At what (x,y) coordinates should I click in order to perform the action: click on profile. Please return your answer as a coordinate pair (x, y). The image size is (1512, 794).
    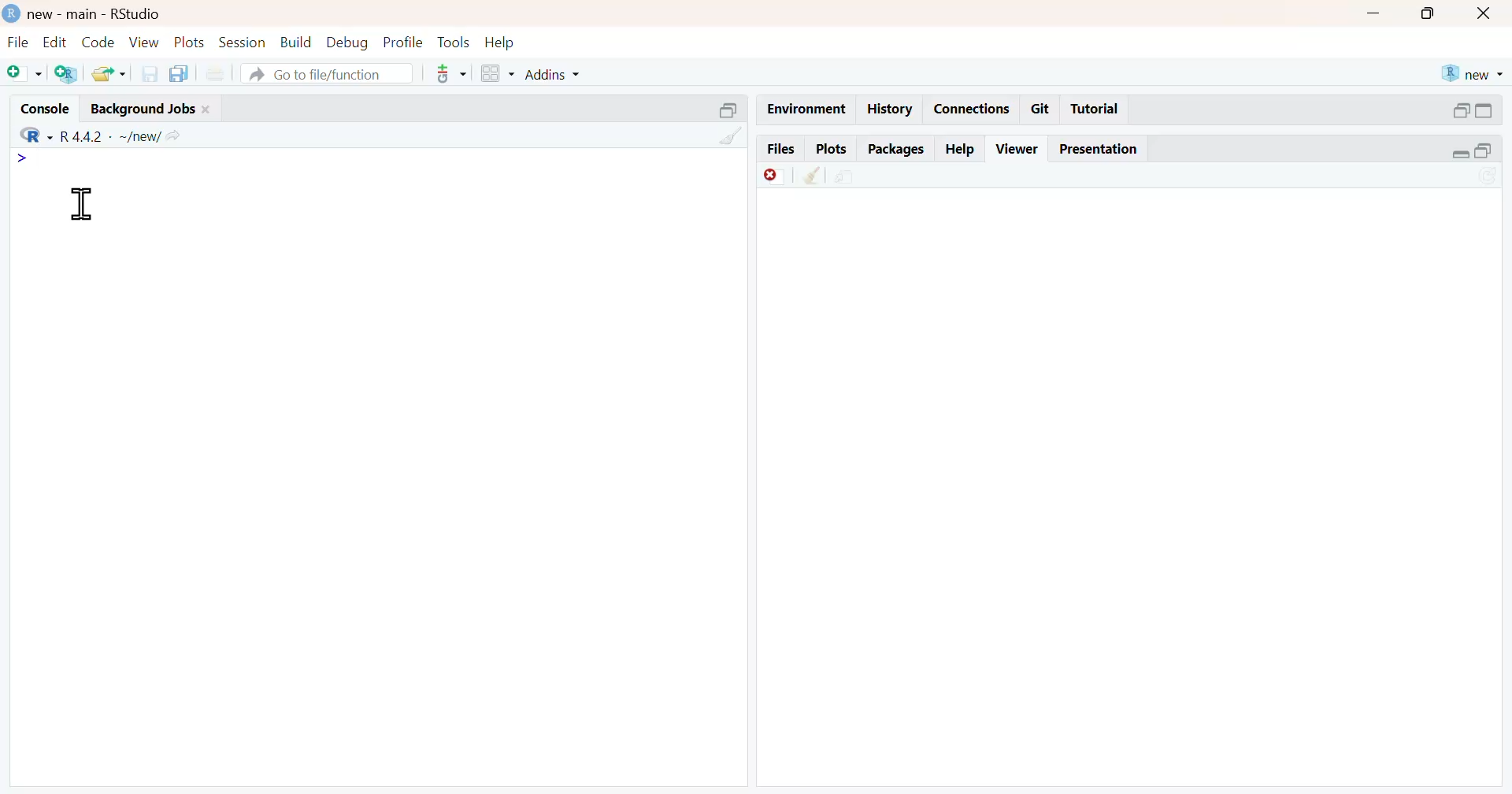
    Looking at the image, I should click on (402, 42).